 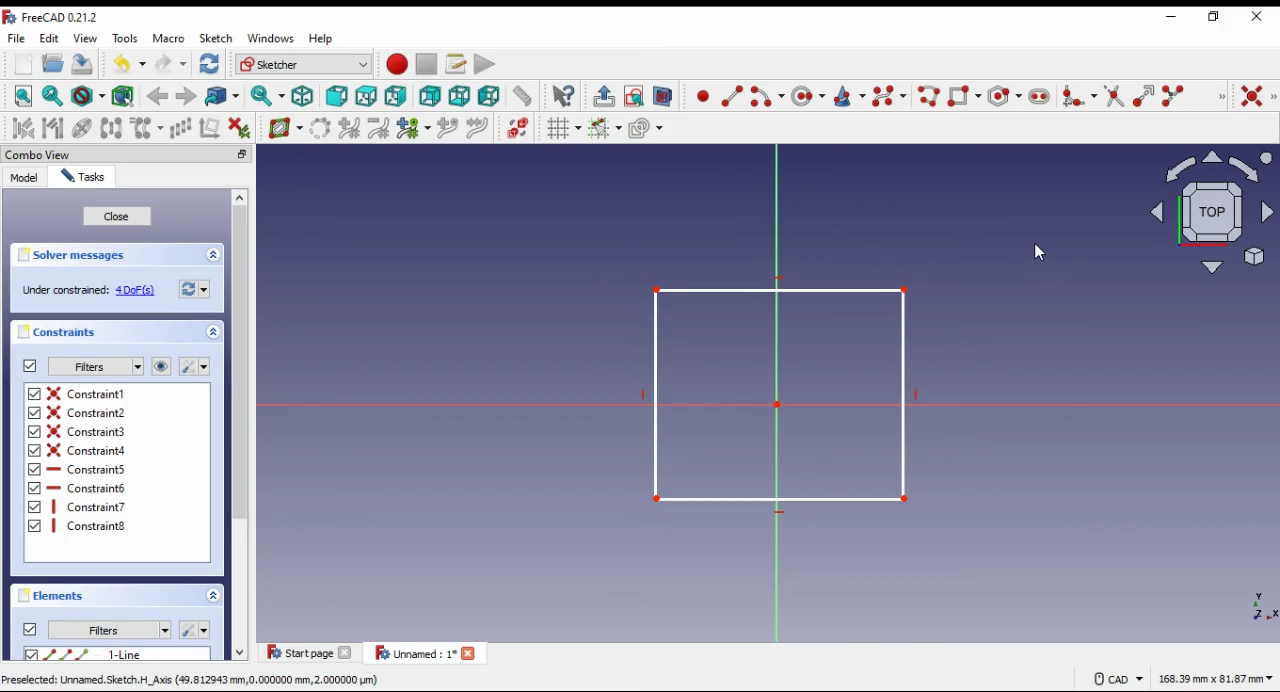 What do you see at coordinates (490, 96) in the screenshot?
I see `left` at bounding box center [490, 96].